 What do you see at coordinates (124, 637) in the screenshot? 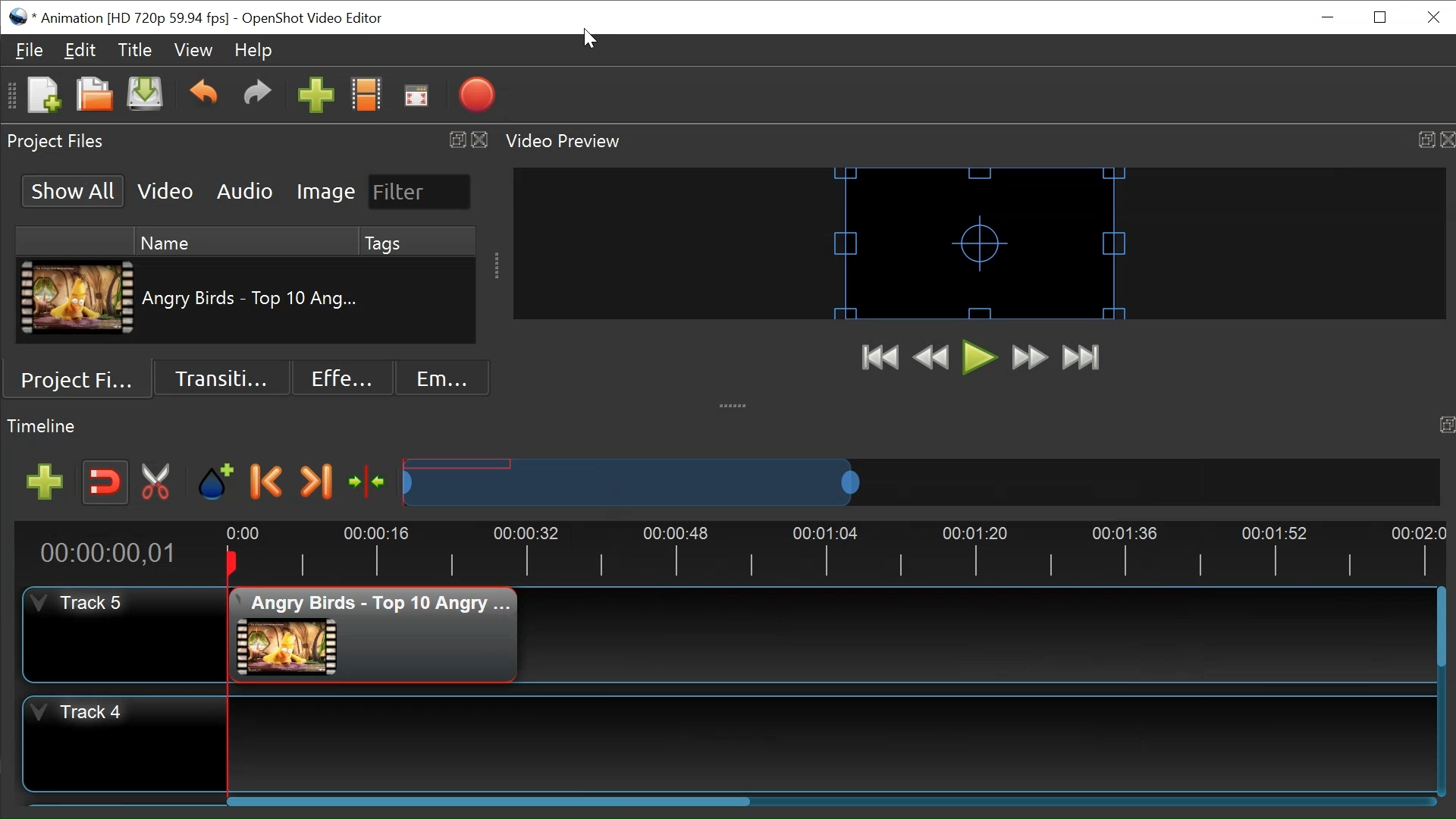
I see `Track Header` at bounding box center [124, 637].